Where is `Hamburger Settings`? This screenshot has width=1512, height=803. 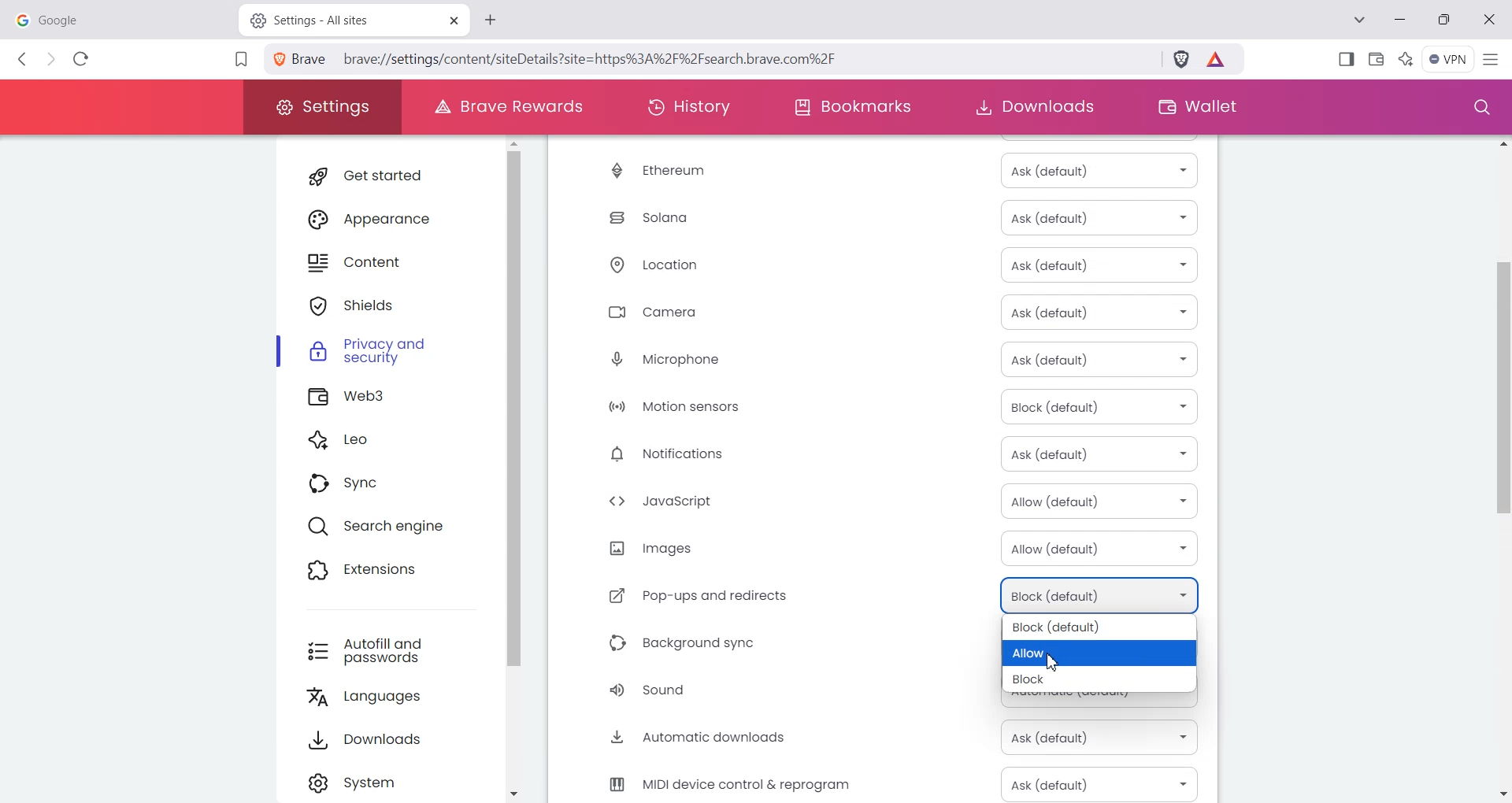 Hamburger Settings is located at coordinates (1494, 58).